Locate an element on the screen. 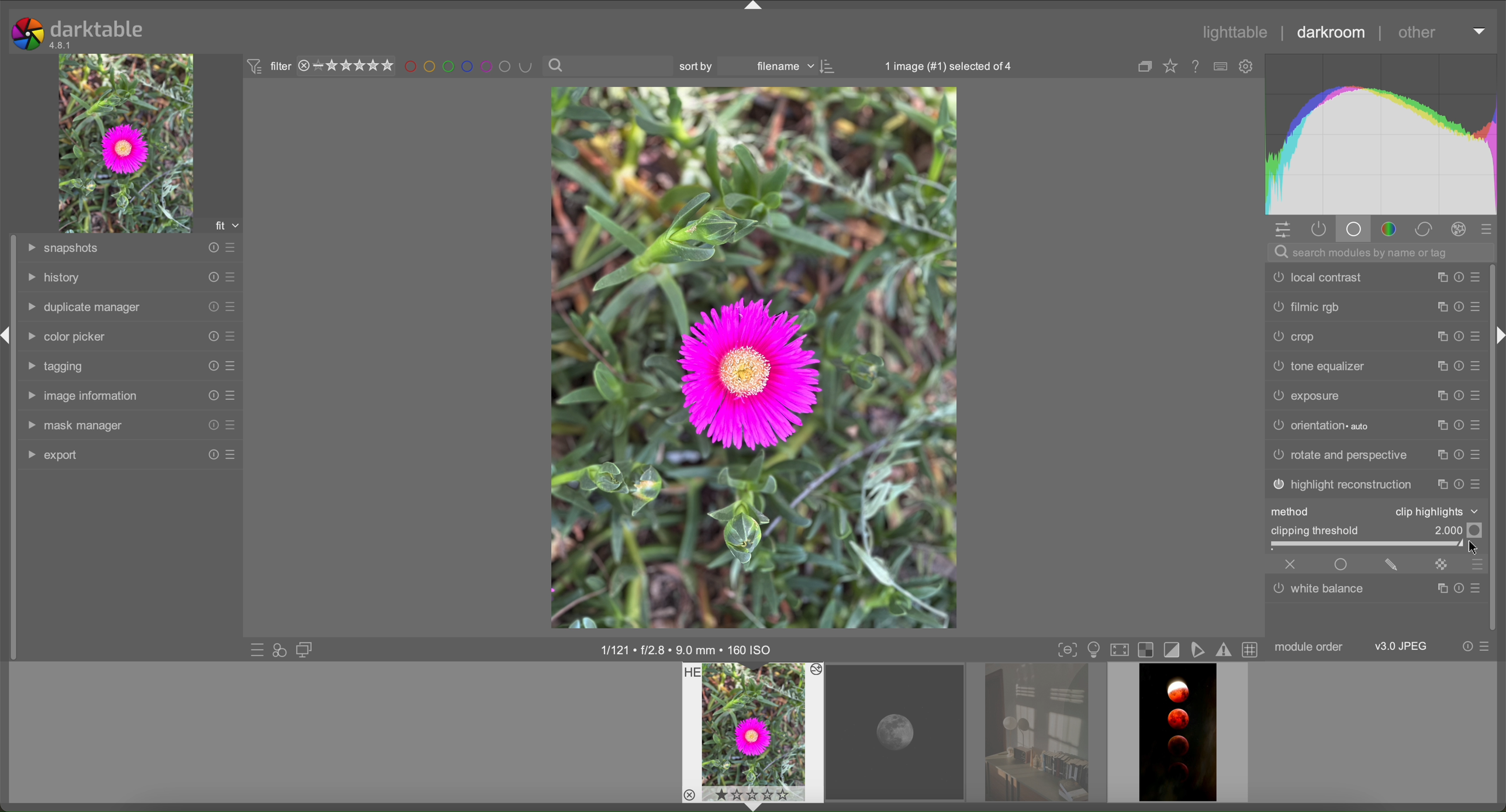  clip highlights is located at coordinates (1434, 511).